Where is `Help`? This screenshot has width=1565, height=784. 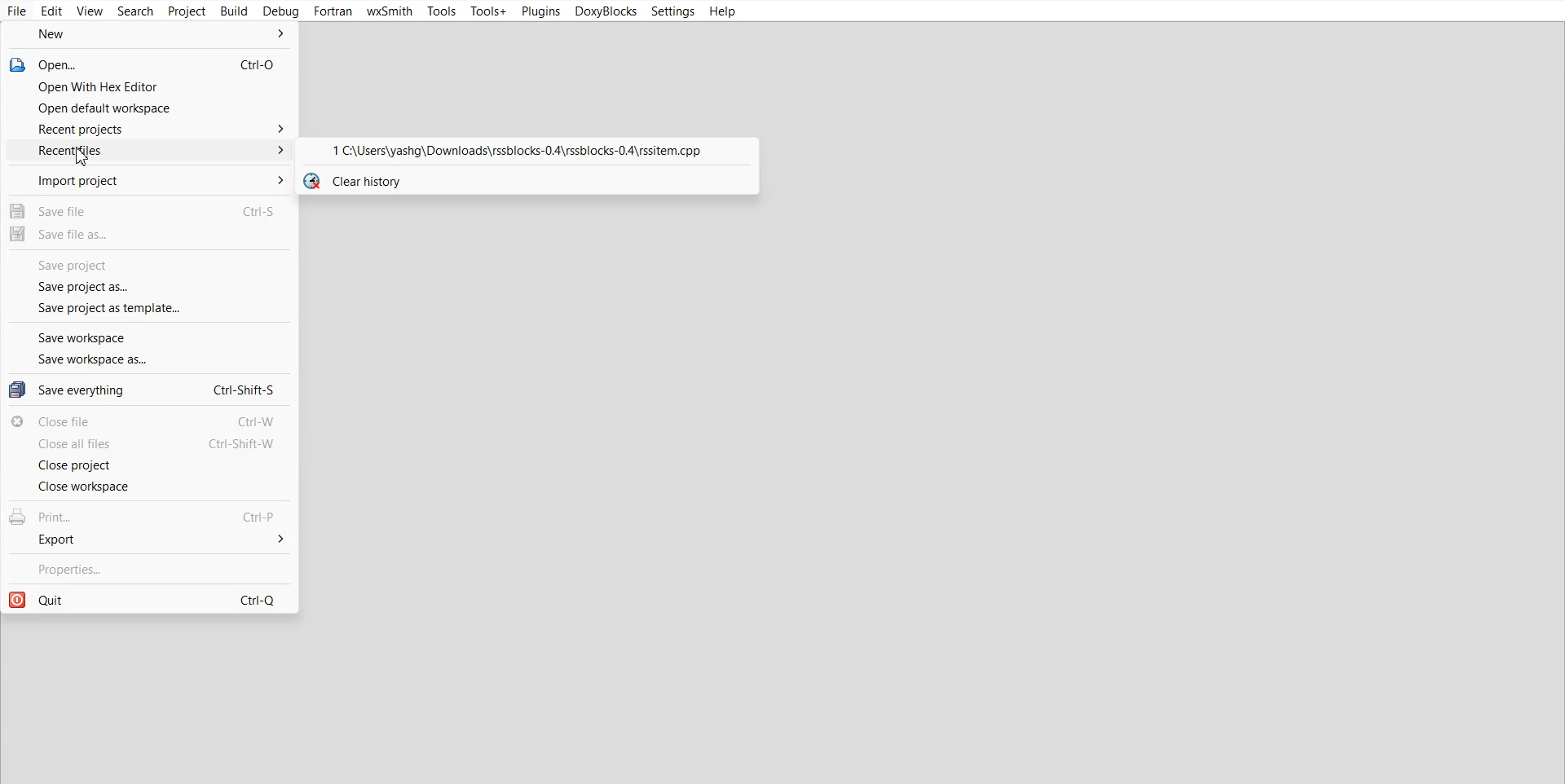 Help is located at coordinates (721, 11).